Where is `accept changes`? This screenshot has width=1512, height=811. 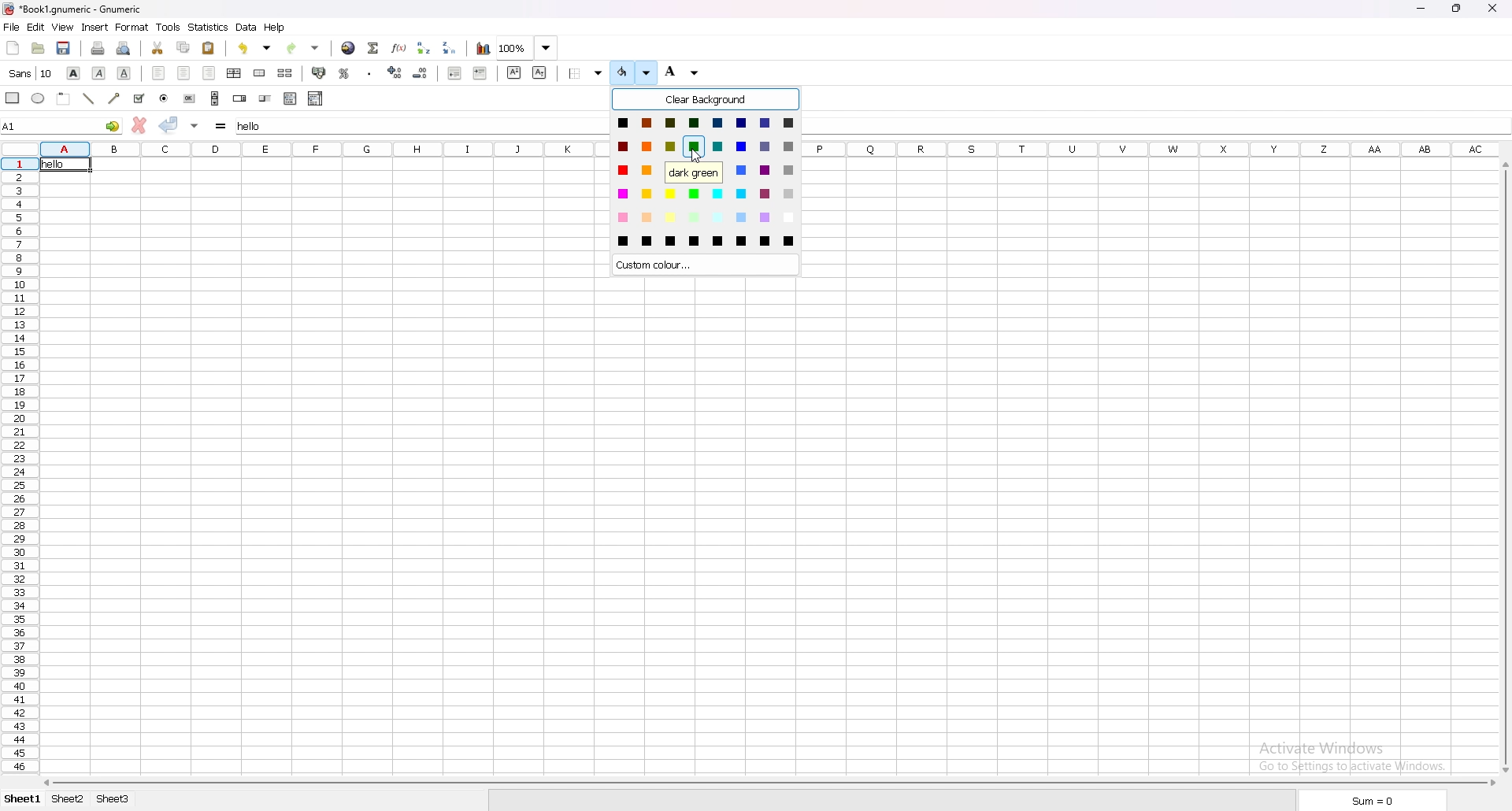
accept changes is located at coordinates (169, 124).